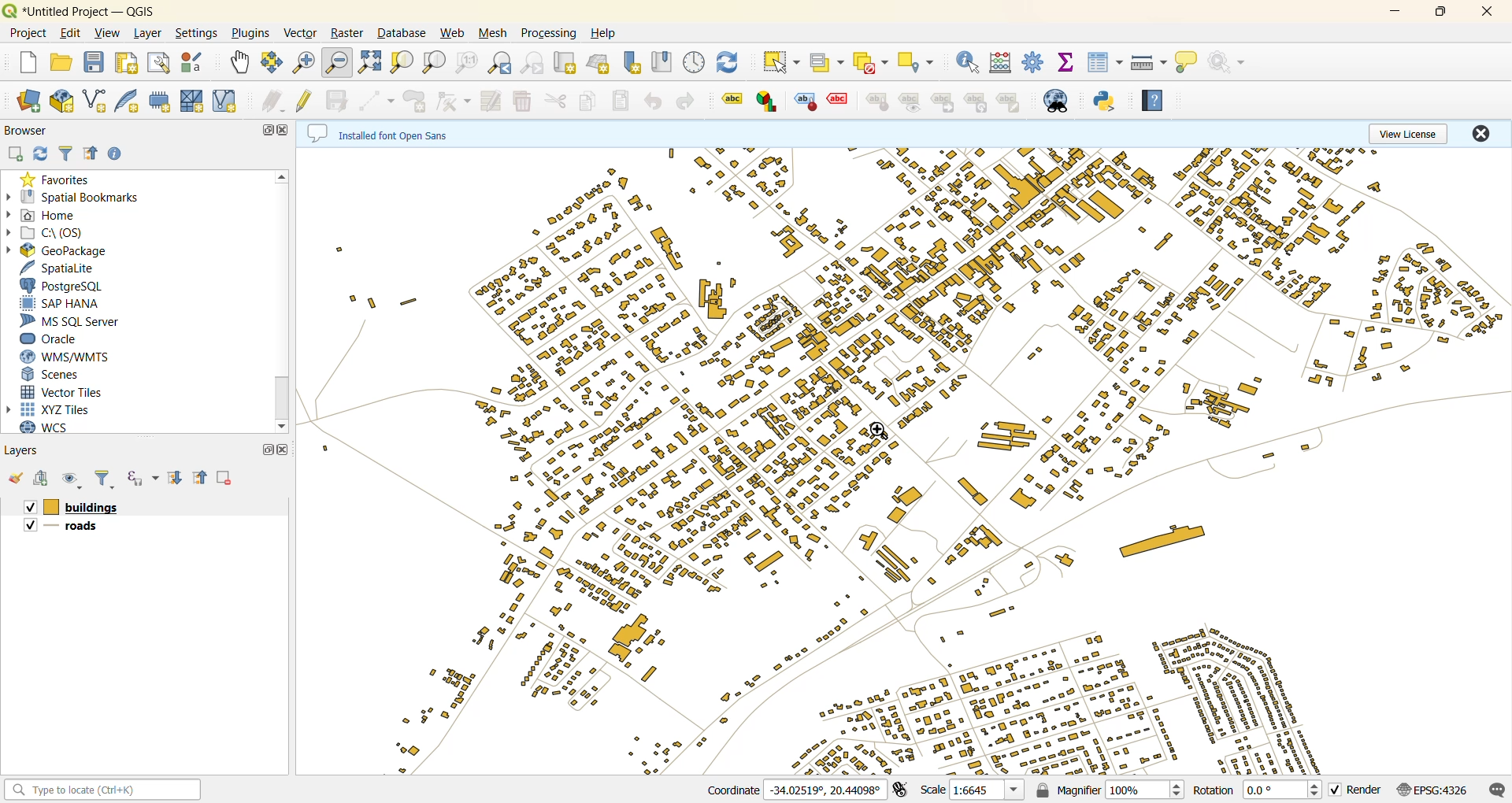 This screenshot has width=1512, height=803. Describe the element at coordinates (558, 102) in the screenshot. I see `cut` at that location.